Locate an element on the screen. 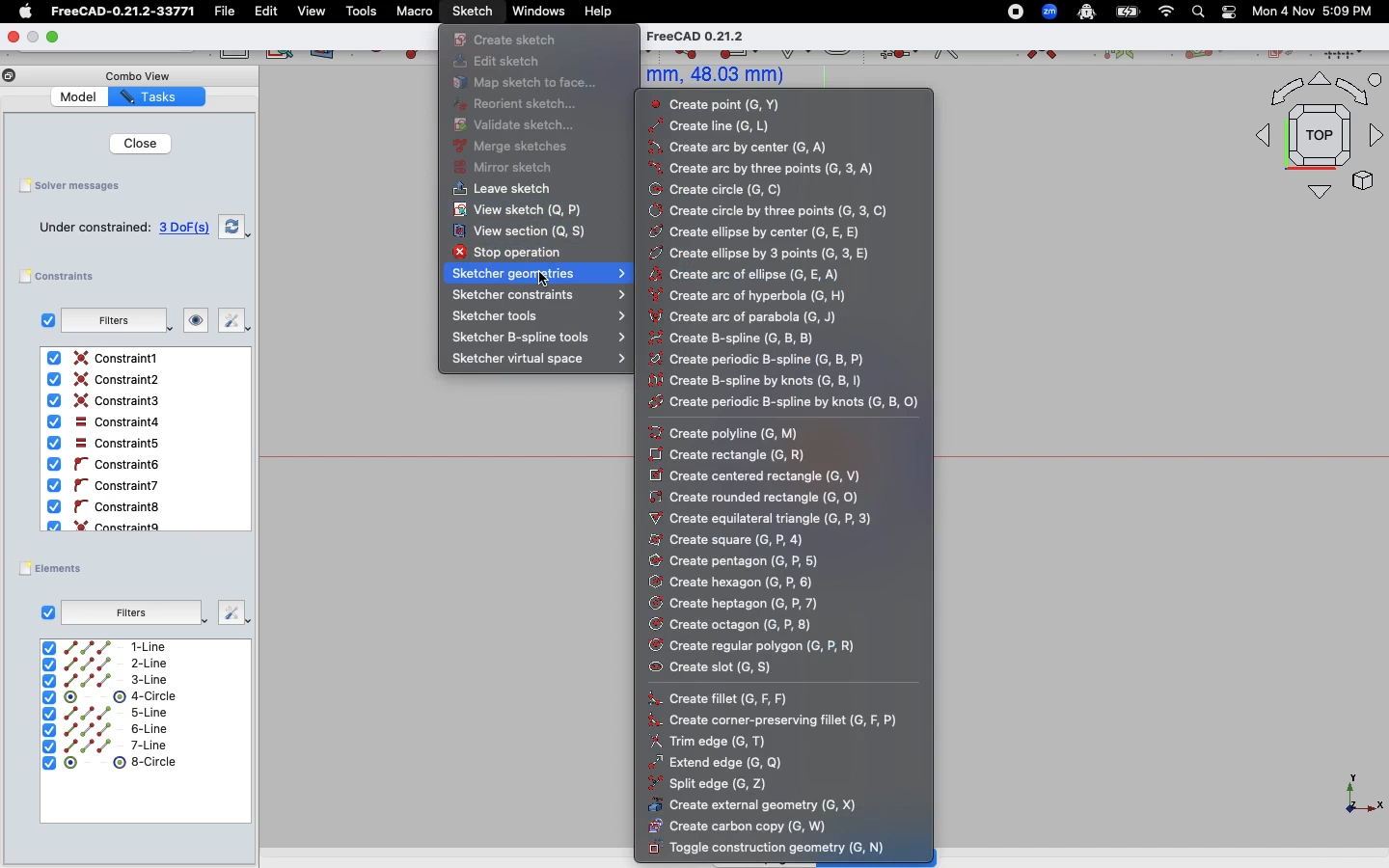 This screenshot has width=1389, height=868. Create periodic B-spline (G, B, P) is located at coordinates (769, 358).